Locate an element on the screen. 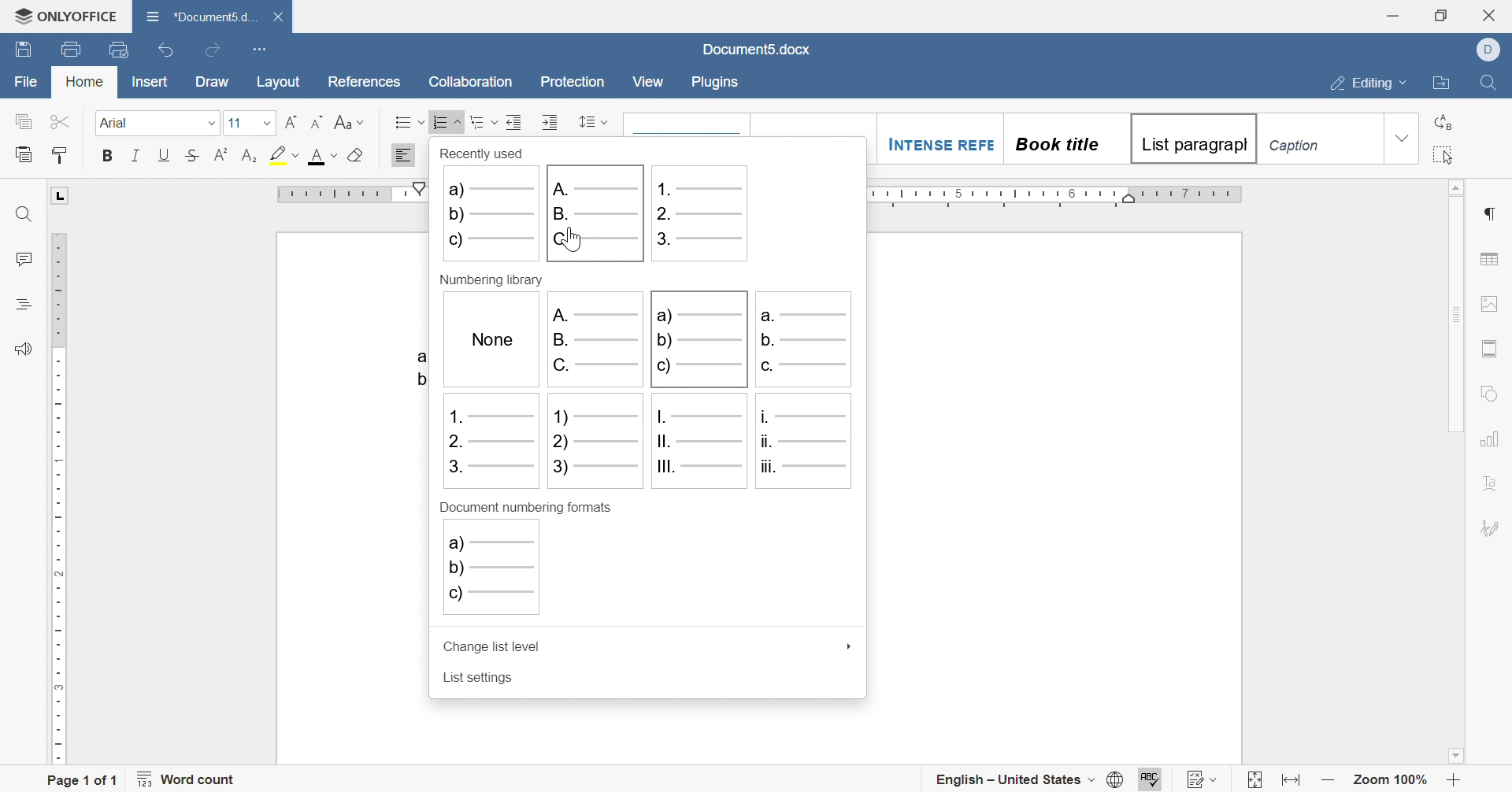 The width and height of the screenshot is (1512, 792). close is located at coordinates (279, 16).